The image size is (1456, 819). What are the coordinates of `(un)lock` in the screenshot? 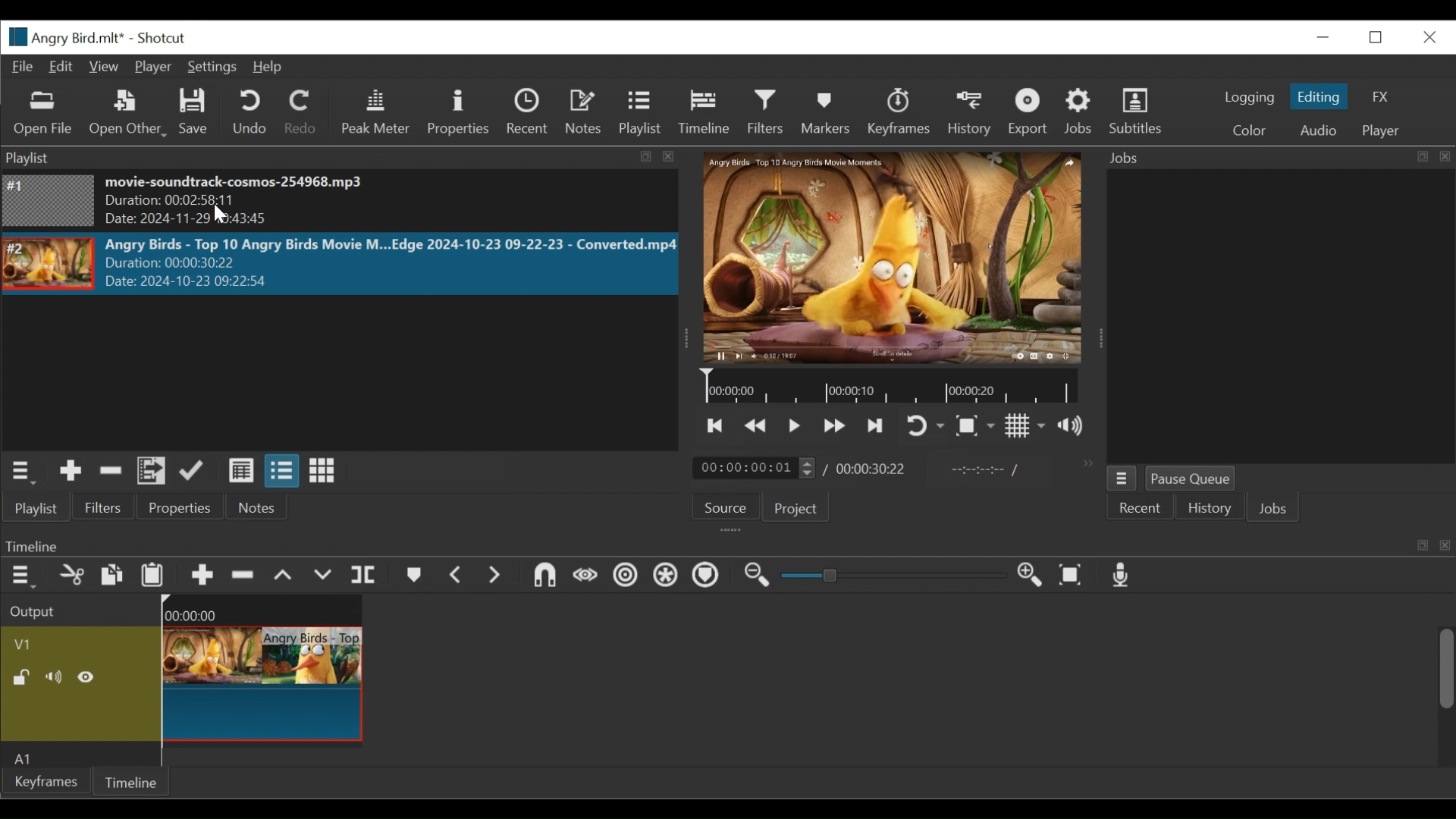 It's located at (21, 676).